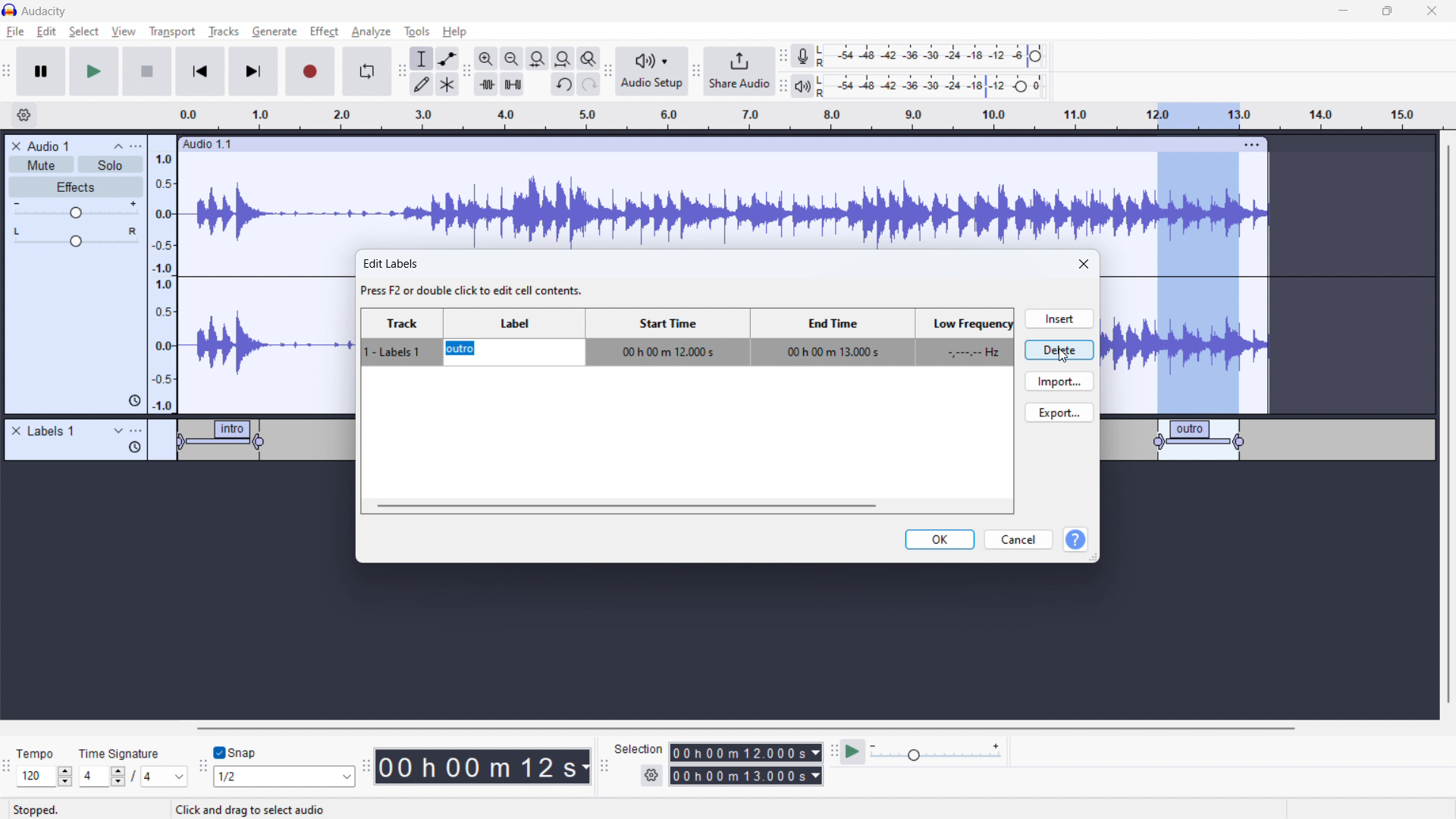  What do you see at coordinates (962, 337) in the screenshot?
I see `low frequency` at bounding box center [962, 337].